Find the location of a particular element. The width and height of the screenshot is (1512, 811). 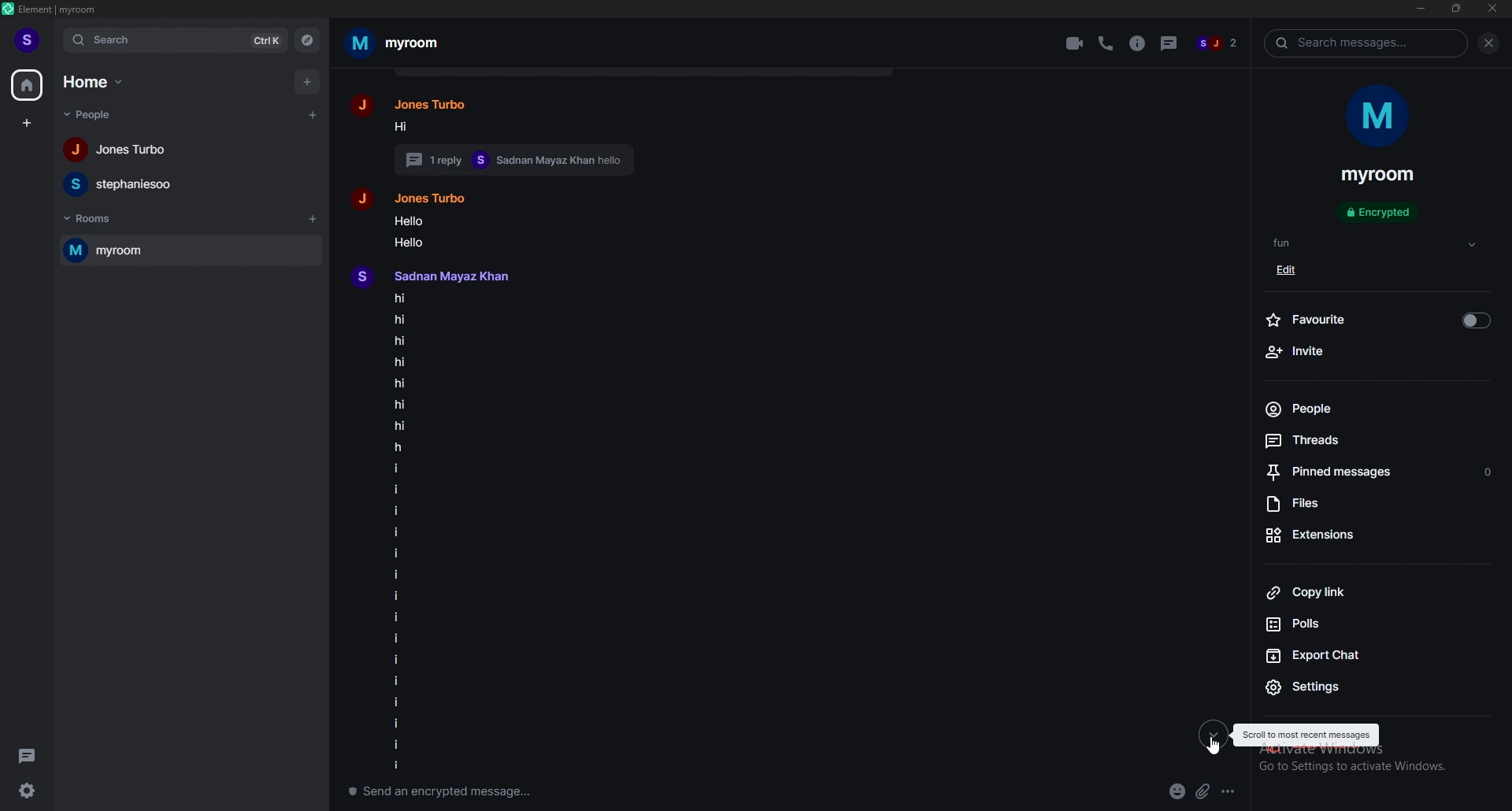

explore rooms is located at coordinates (307, 39).